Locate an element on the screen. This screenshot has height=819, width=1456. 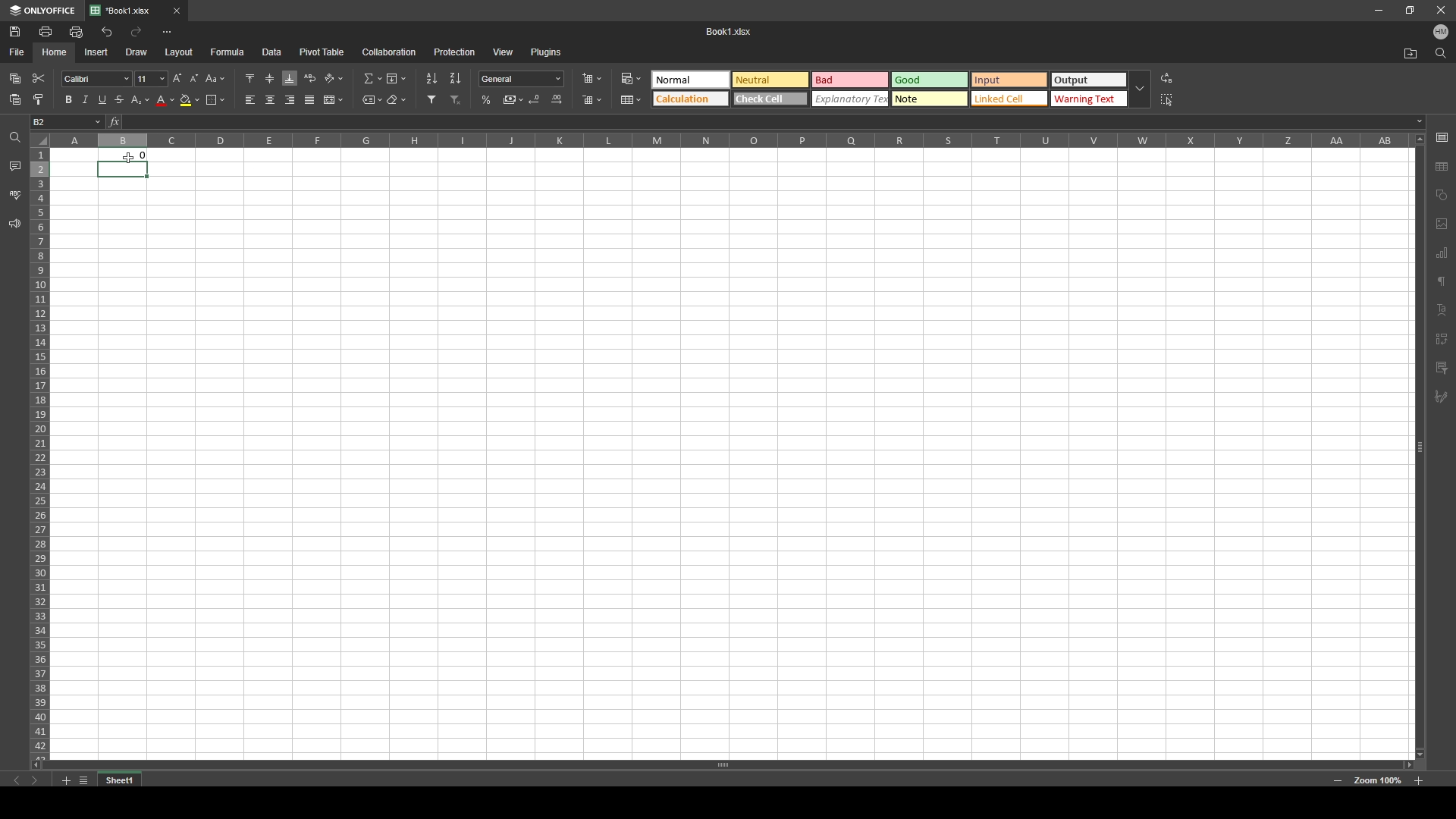
Explanatory text is located at coordinates (852, 99).